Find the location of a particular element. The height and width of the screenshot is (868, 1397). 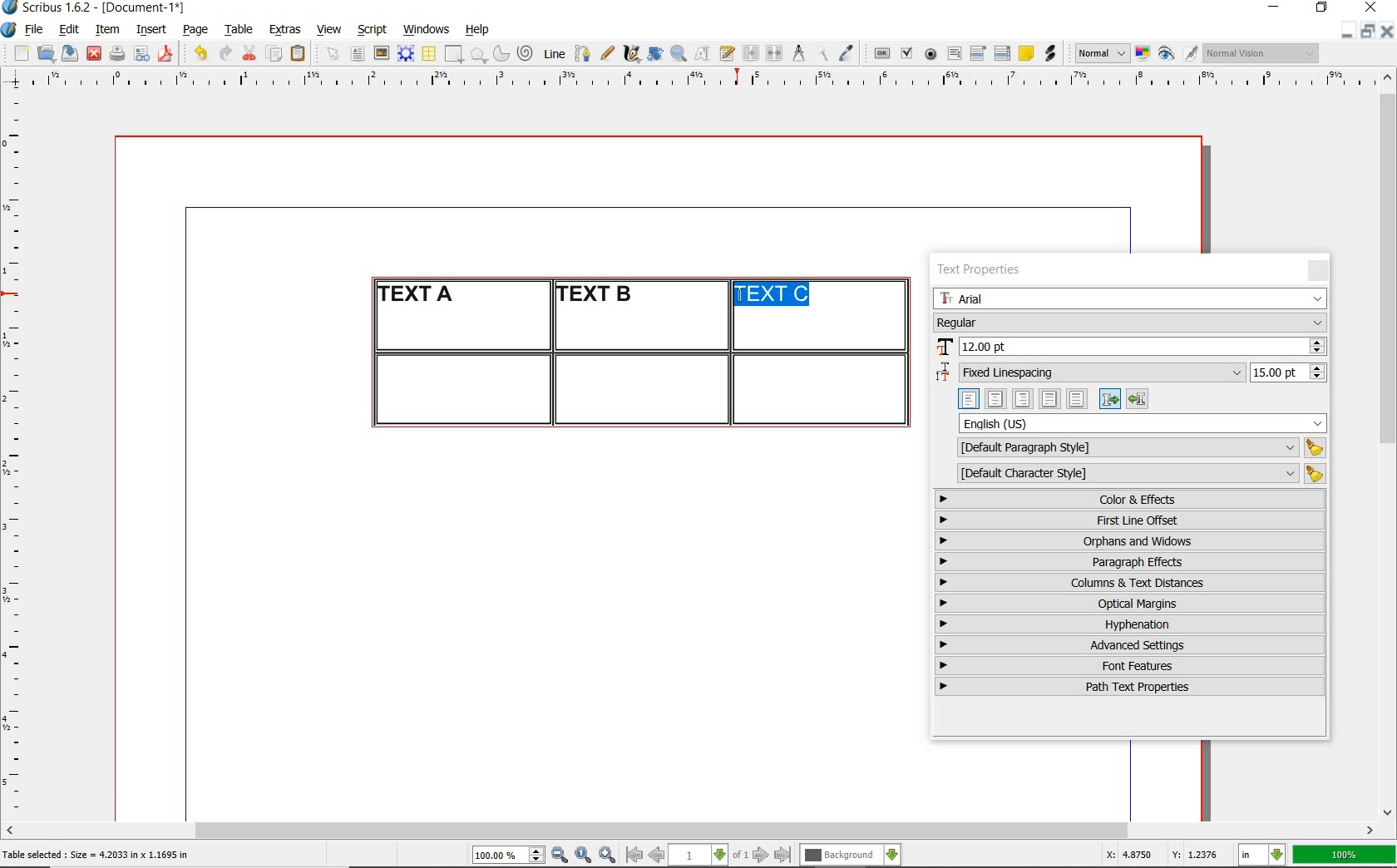

copy is located at coordinates (275, 55).